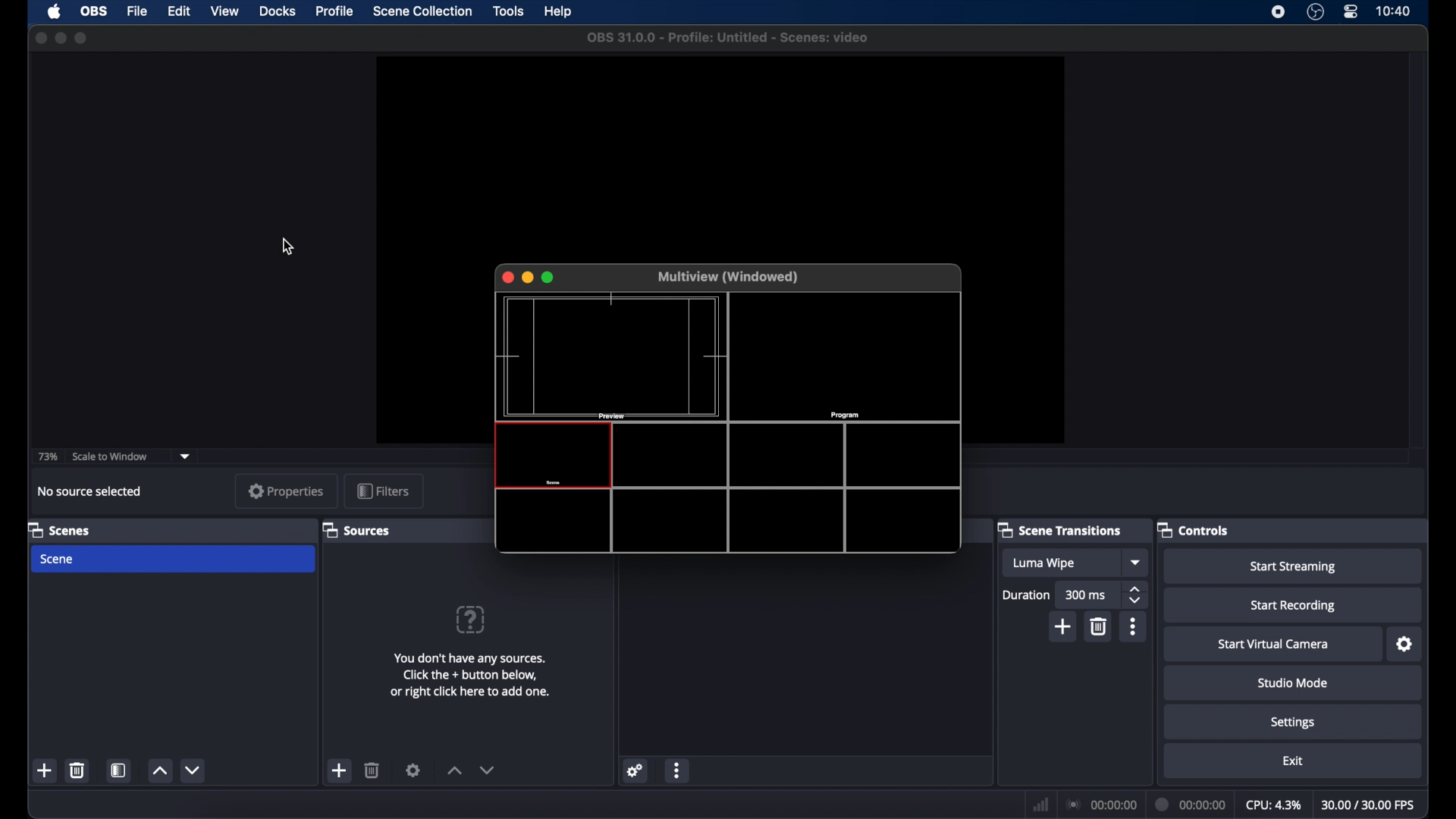 This screenshot has height=819, width=1456. What do you see at coordinates (1043, 563) in the screenshot?
I see `luma wipe` at bounding box center [1043, 563].